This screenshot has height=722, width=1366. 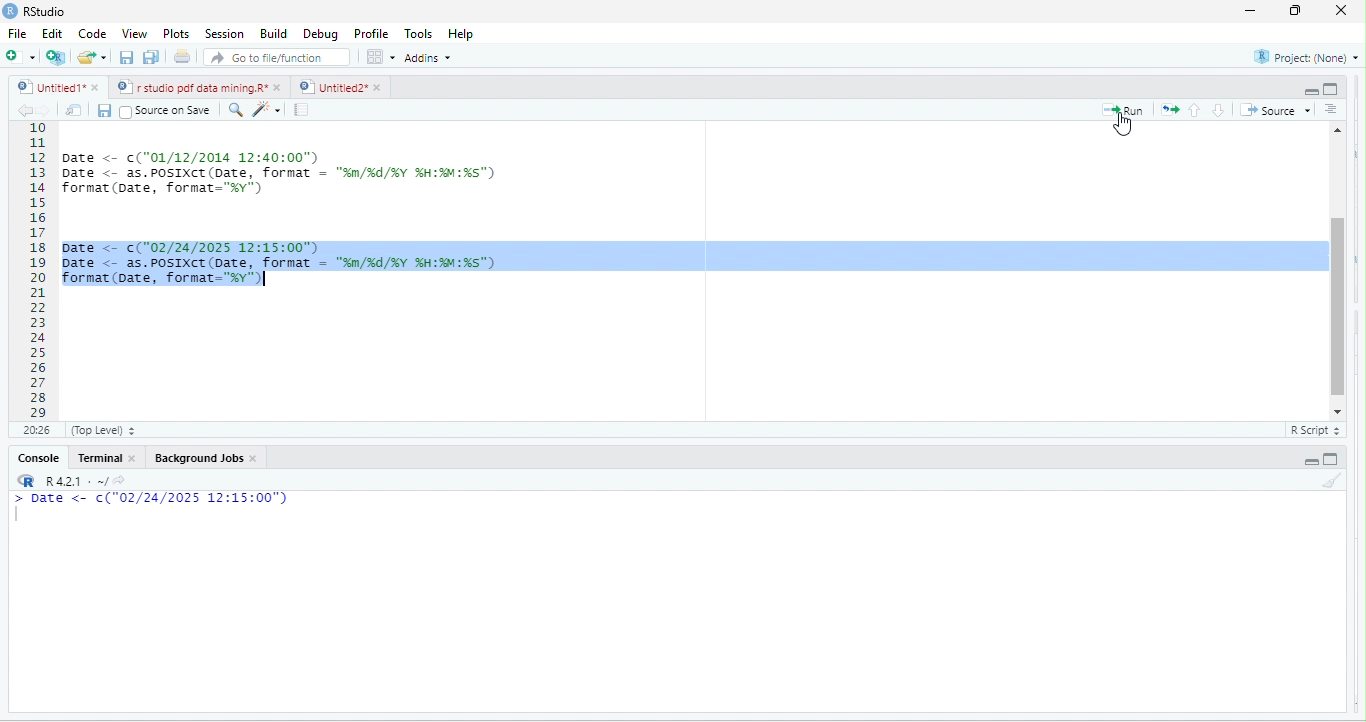 What do you see at coordinates (332, 87) in the screenshot?
I see ` Untitled2` at bounding box center [332, 87].